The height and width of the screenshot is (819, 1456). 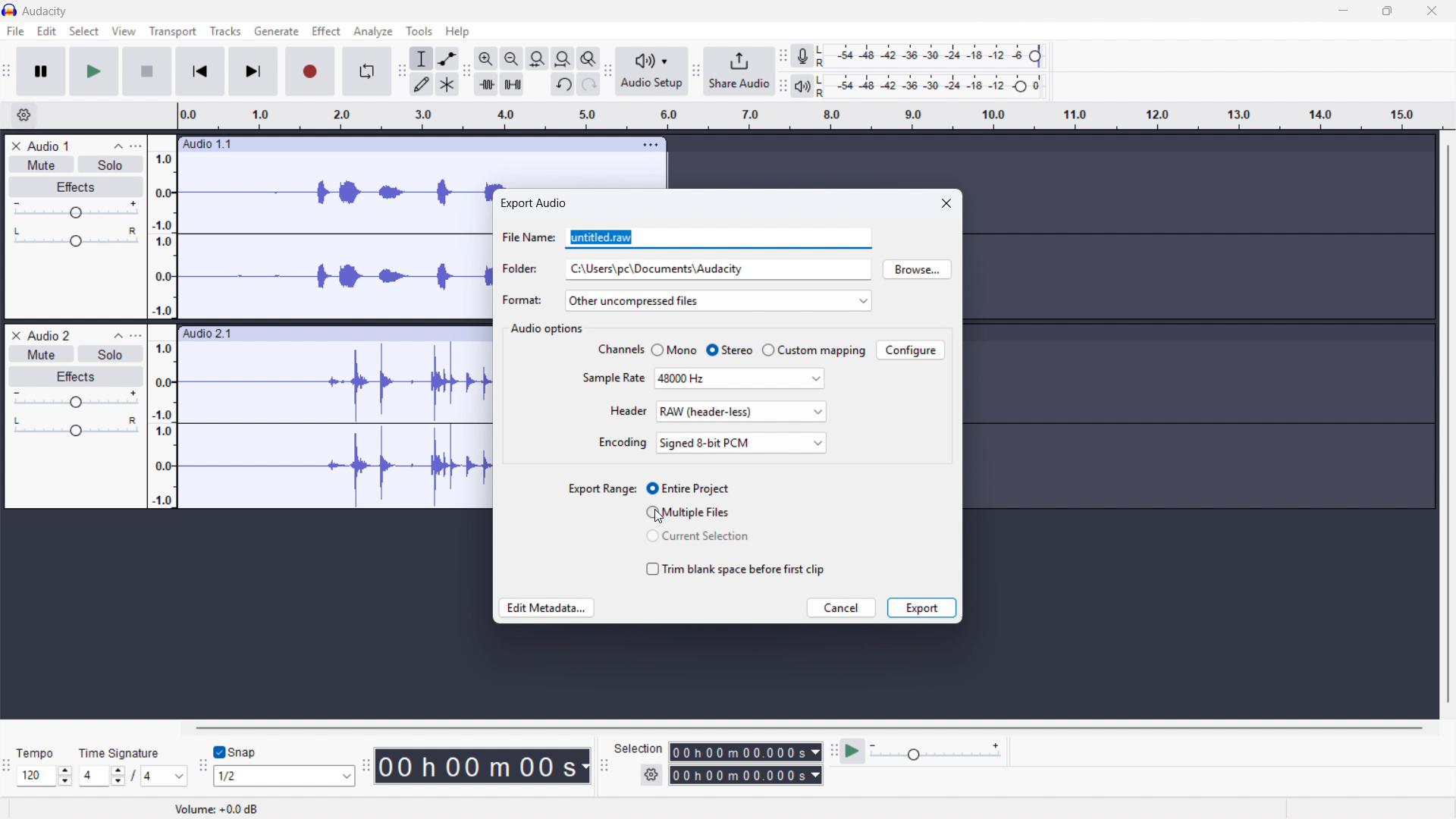 What do you see at coordinates (718, 238) in the screenshot?
I see `File name ` at bounding box center [718, 238].